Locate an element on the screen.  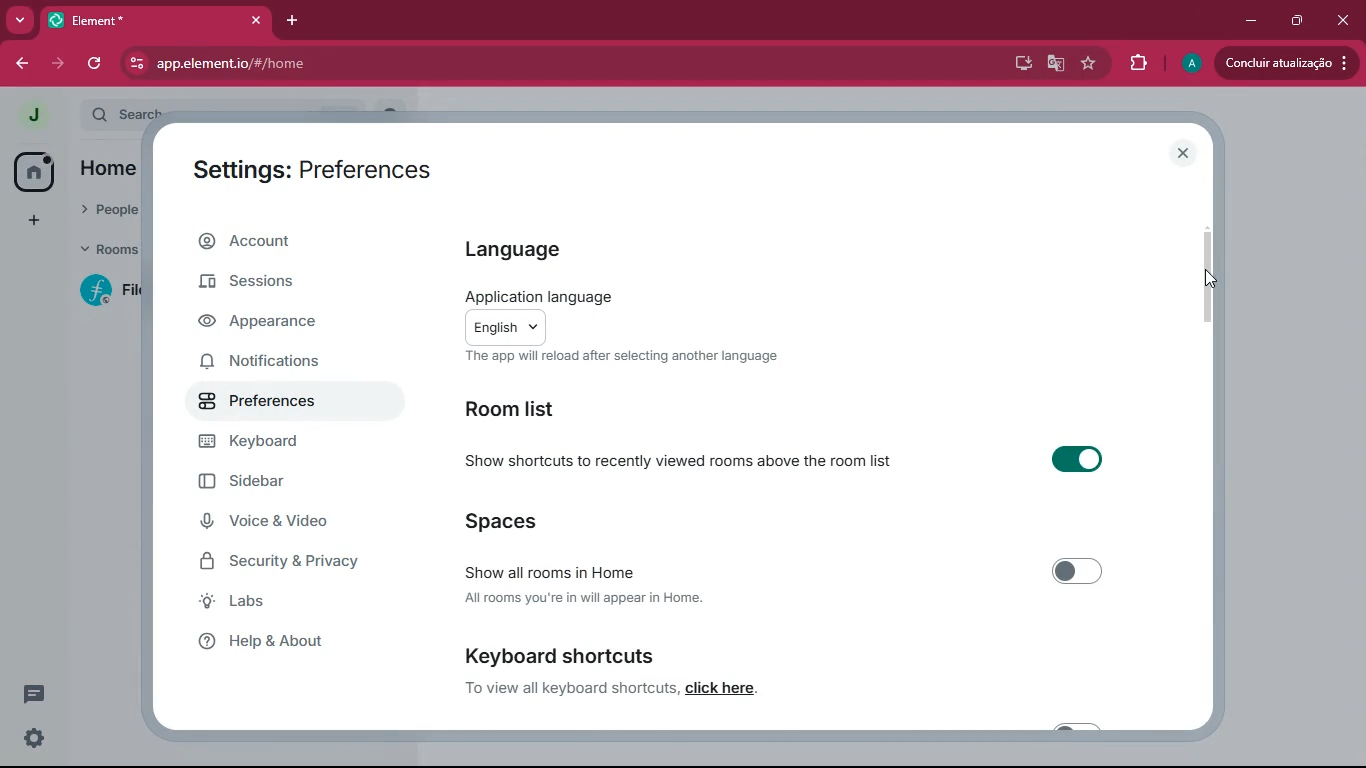
sessions is located at coordinates (284, 280).